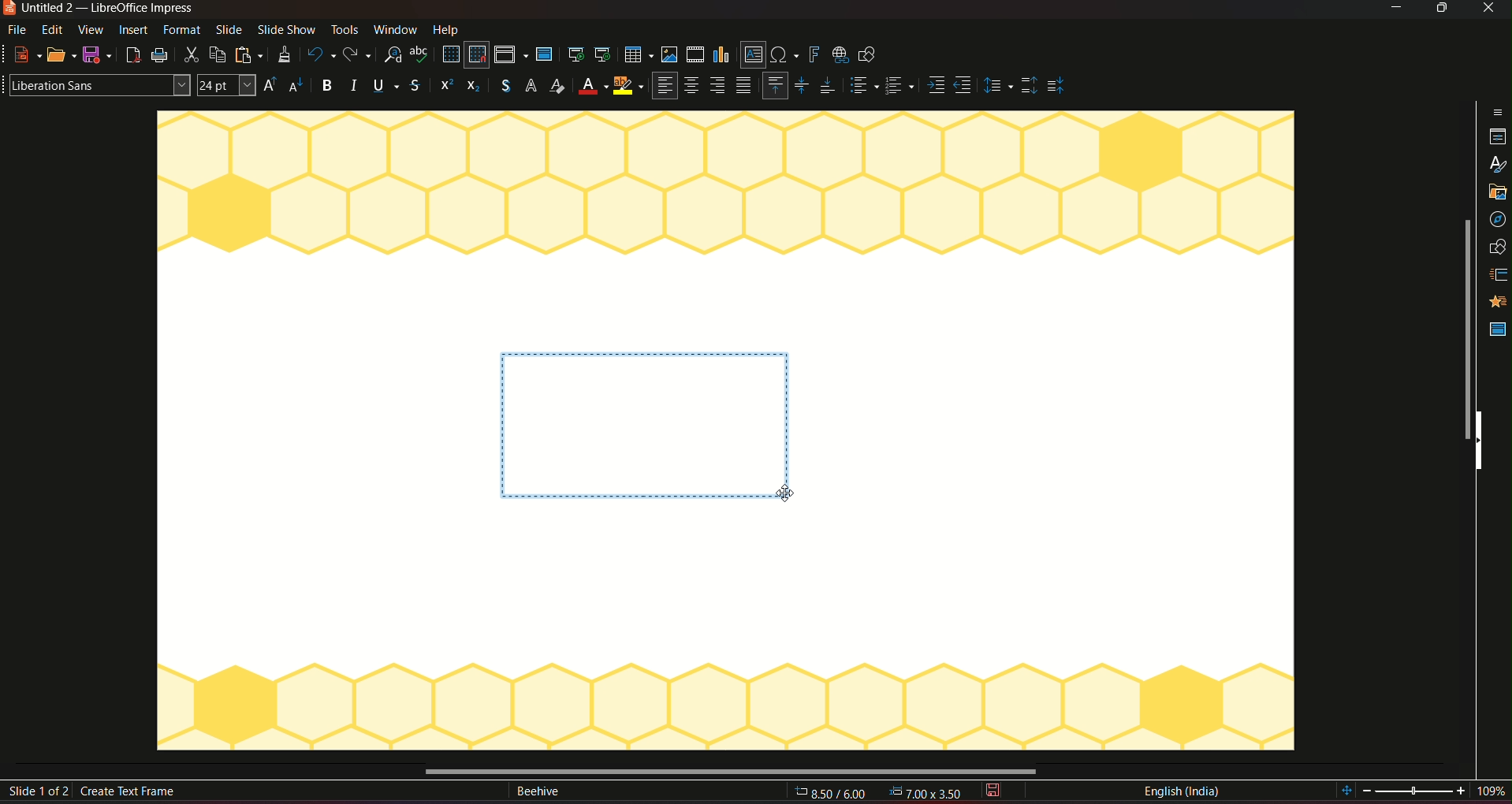 This screenshot has height=804, width=1512. Describe the element at coordinates (725, 643) in the screenshot. I see `workspace` at that location.